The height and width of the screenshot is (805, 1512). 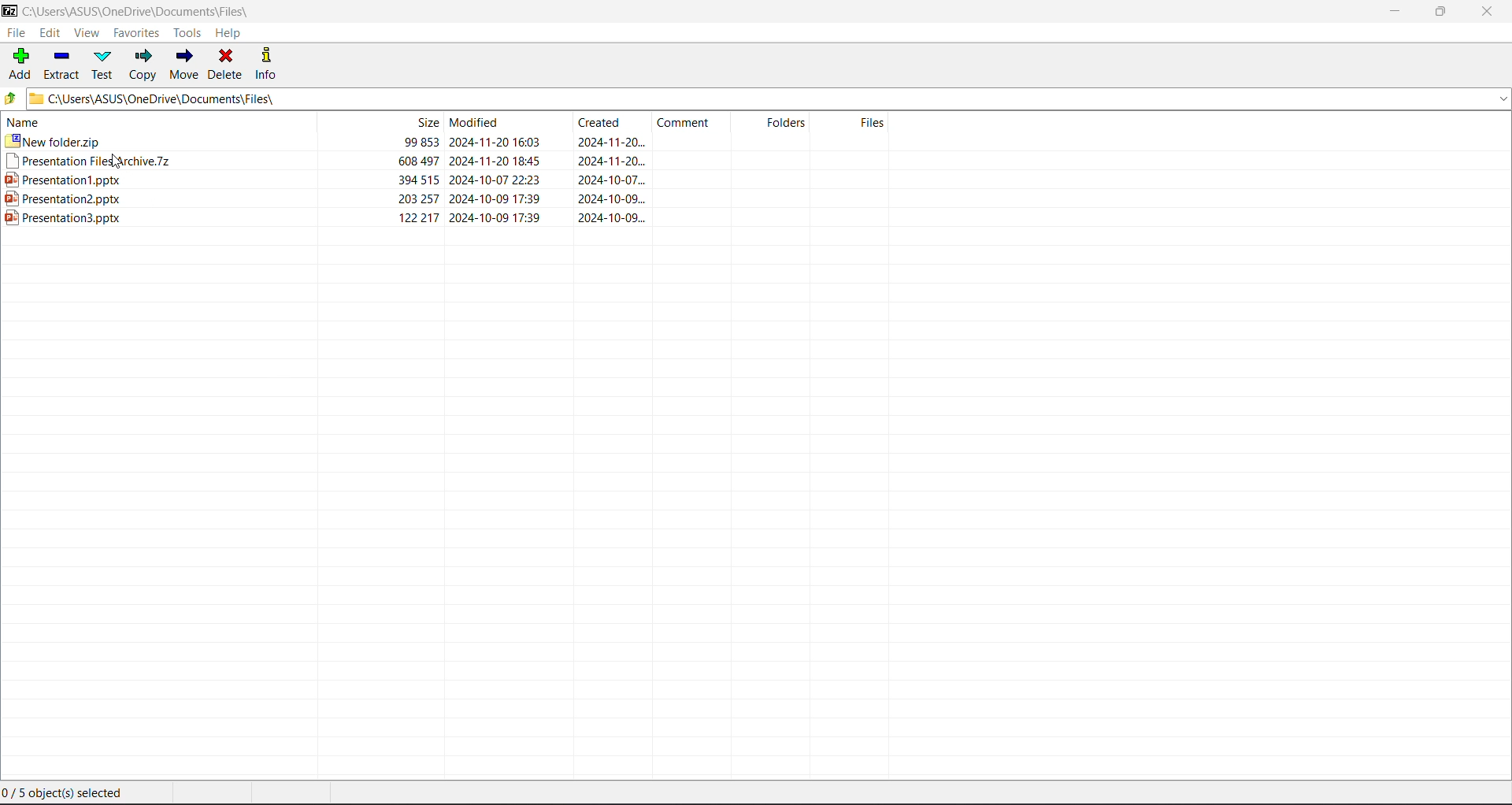 I want to click on Info, so click(x=268, y=65).